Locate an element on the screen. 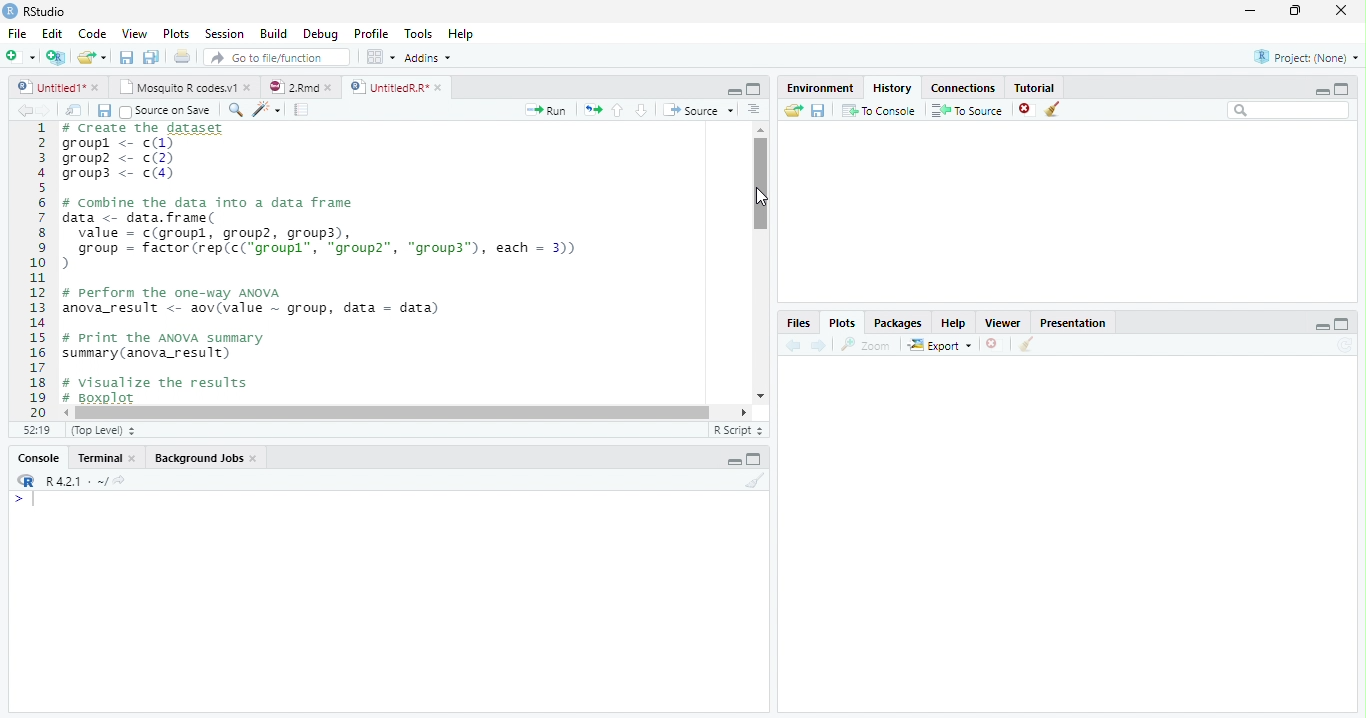 The width and height of the screenshot is (1366, 718). Create a Project is located at coordinates (56, 57).